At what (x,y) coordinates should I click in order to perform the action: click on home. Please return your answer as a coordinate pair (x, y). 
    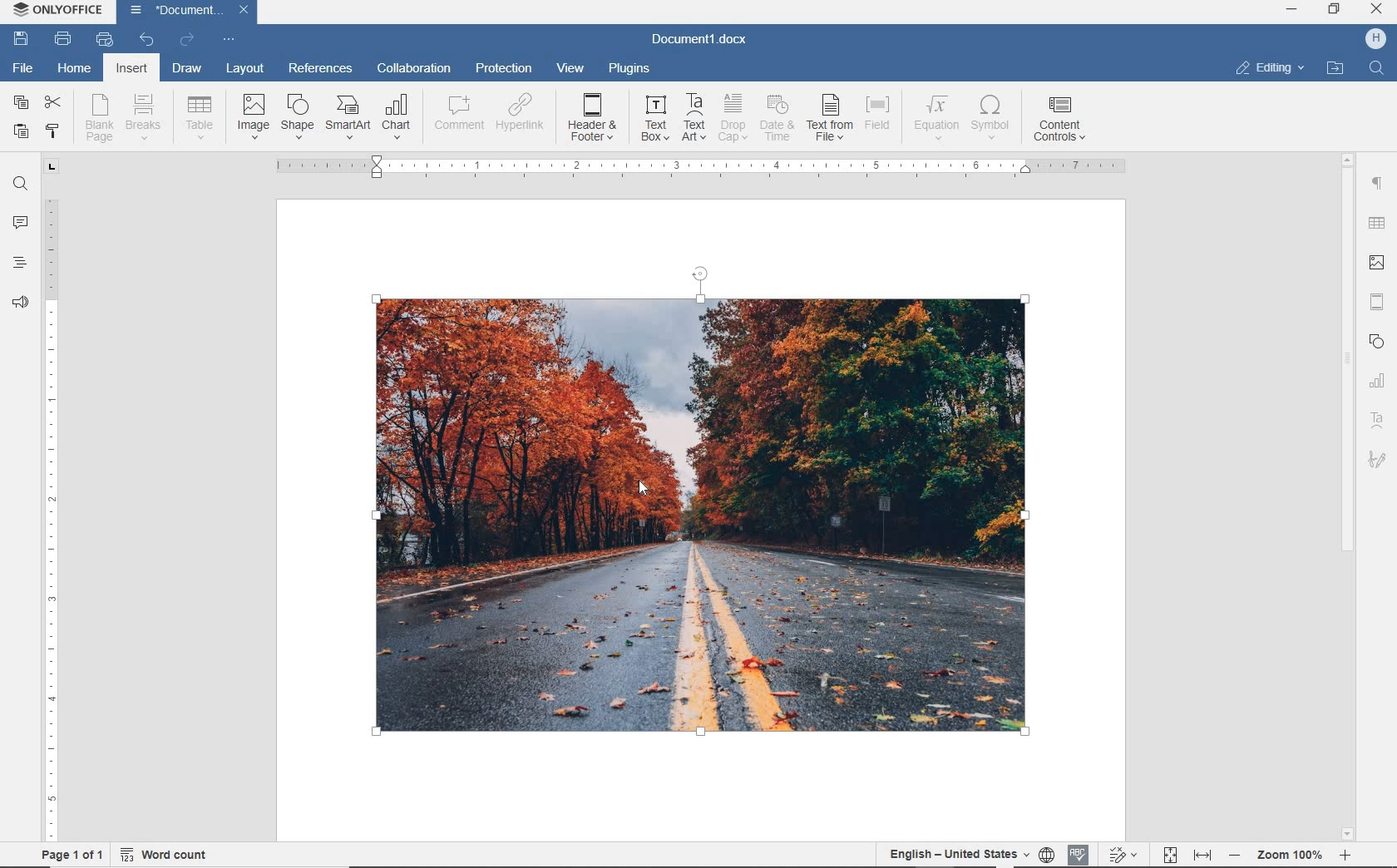
    Looking at the image, I should click on (73, 72).